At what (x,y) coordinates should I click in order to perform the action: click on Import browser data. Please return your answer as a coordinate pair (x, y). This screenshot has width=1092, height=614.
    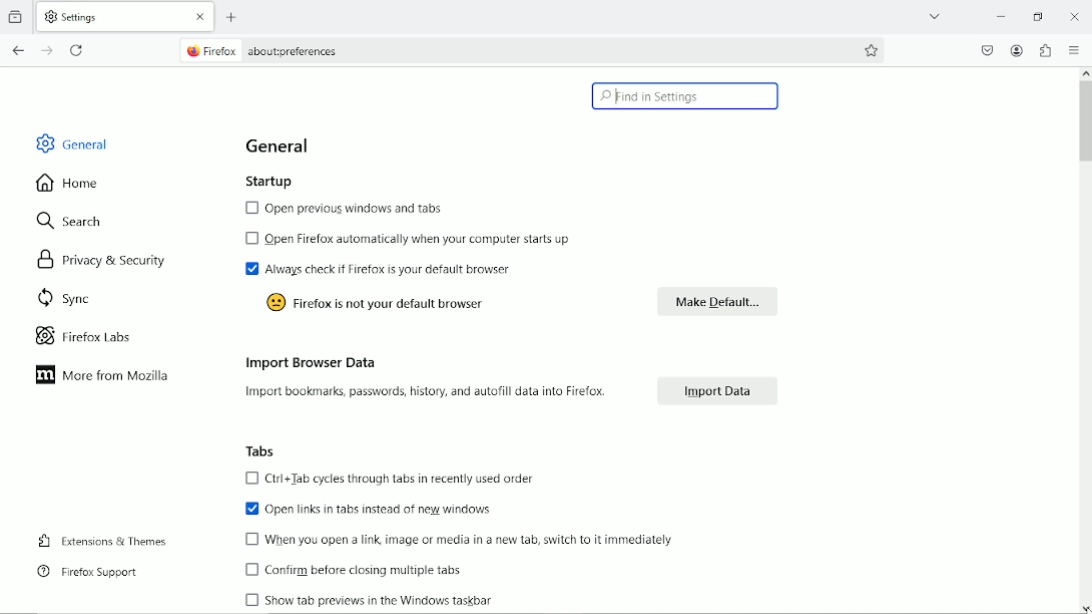
    Looking at the image, I should click on (309, 361).